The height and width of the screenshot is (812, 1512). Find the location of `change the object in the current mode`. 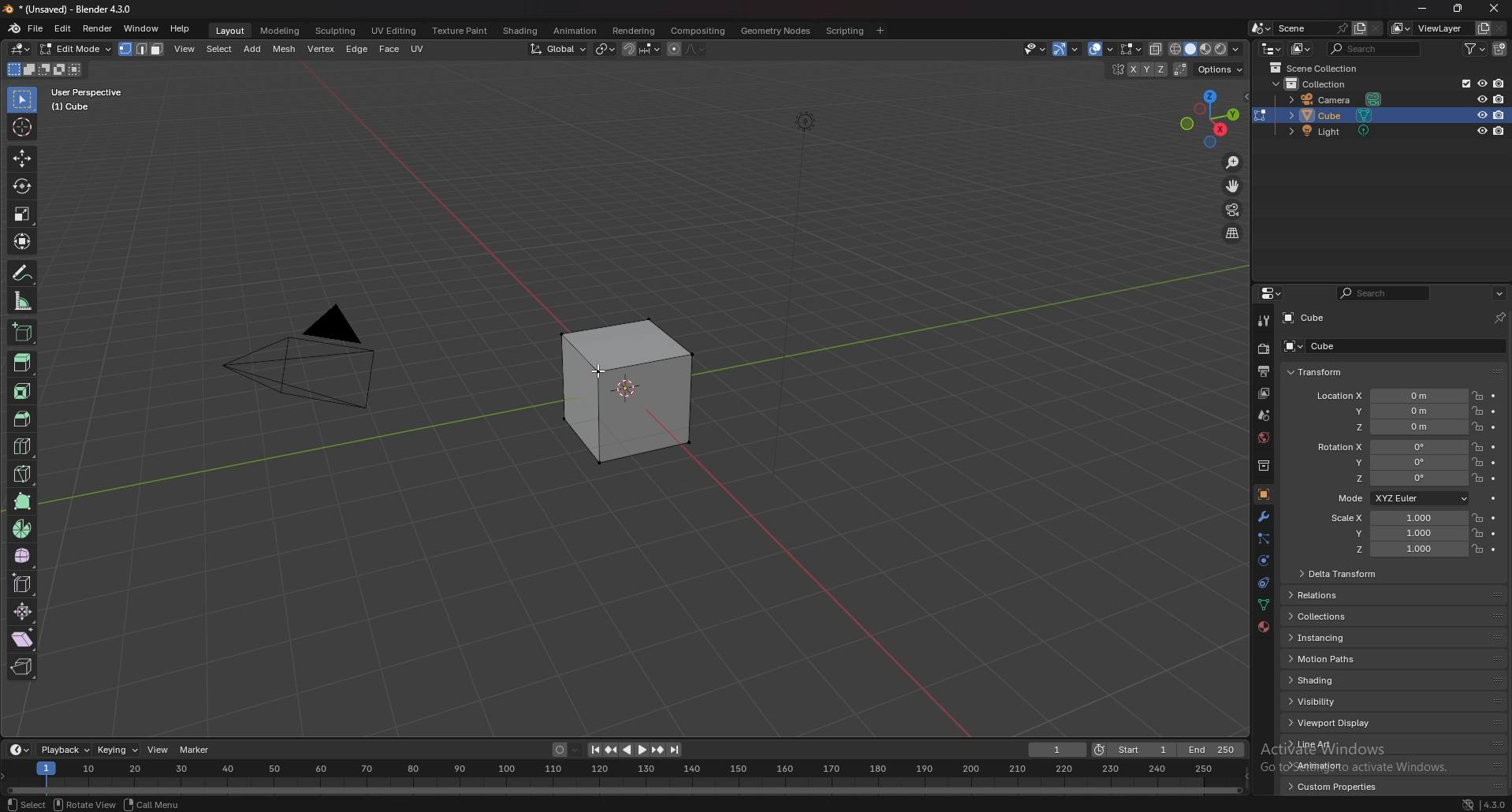

change the object in the current mode is located at coordinates (1261, 115).